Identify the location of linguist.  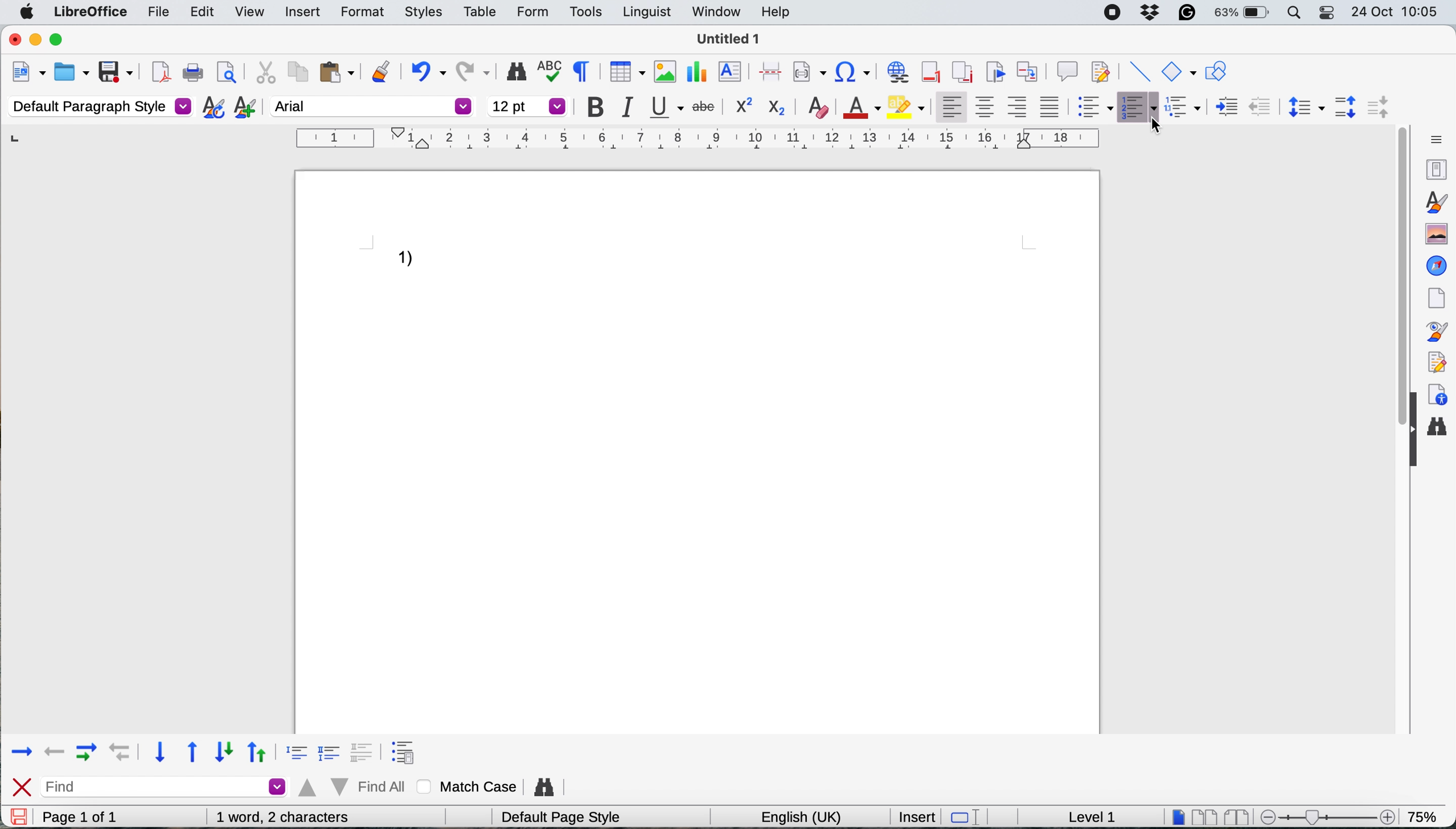
(645, 13).